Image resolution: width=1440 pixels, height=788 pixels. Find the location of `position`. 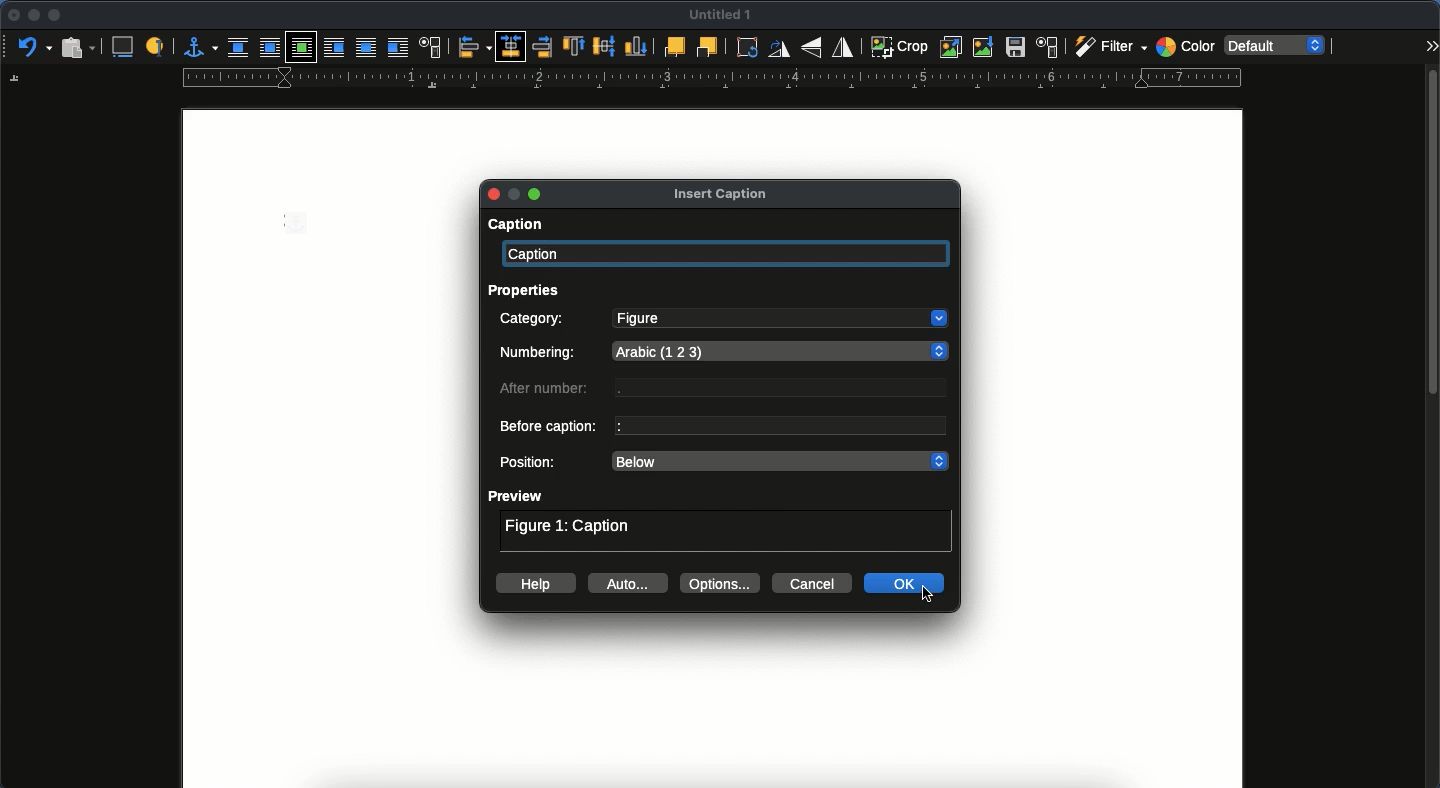

position is located at coordinates (531, 463).